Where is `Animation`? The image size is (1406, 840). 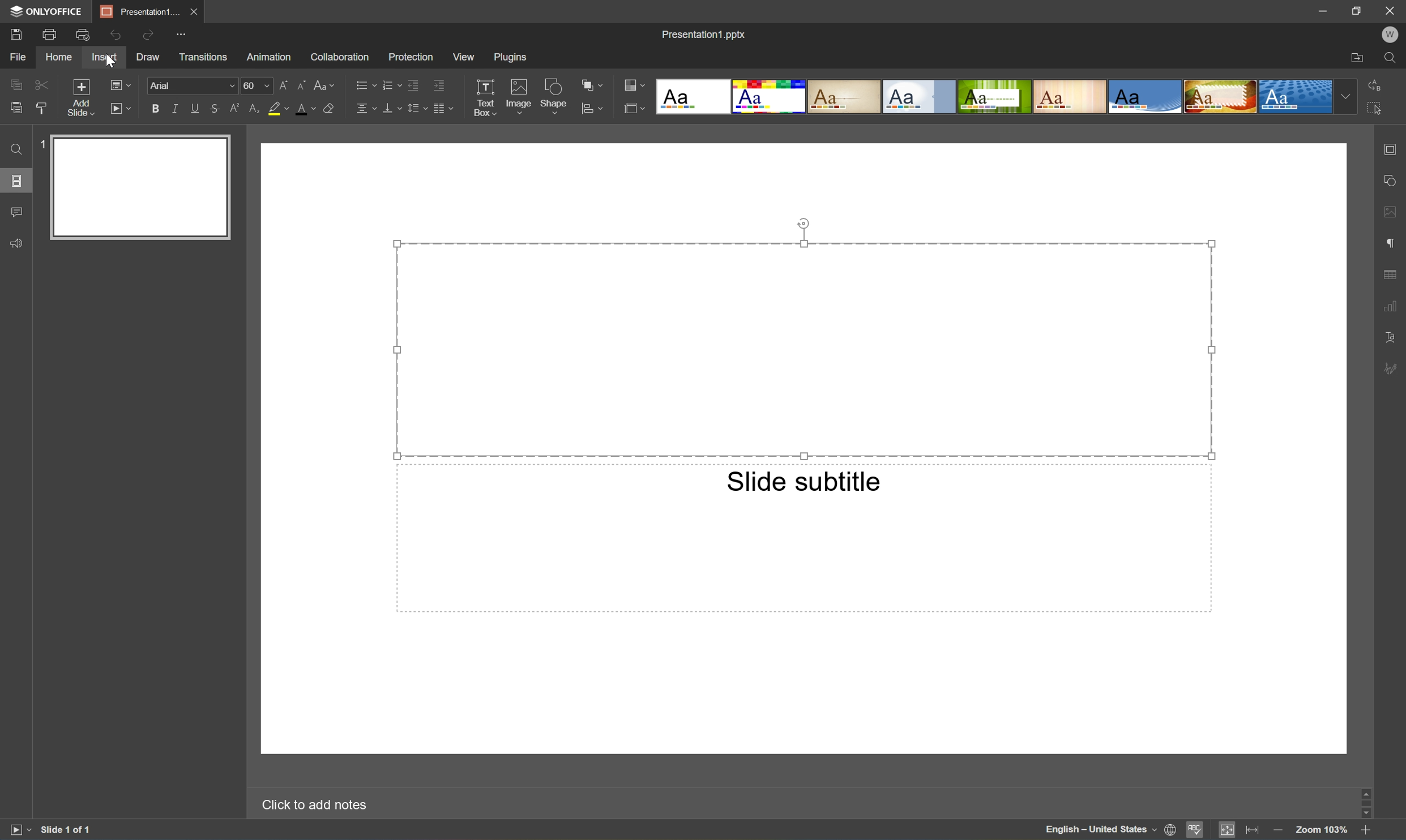 Animation is located at coordinates (268, 57).